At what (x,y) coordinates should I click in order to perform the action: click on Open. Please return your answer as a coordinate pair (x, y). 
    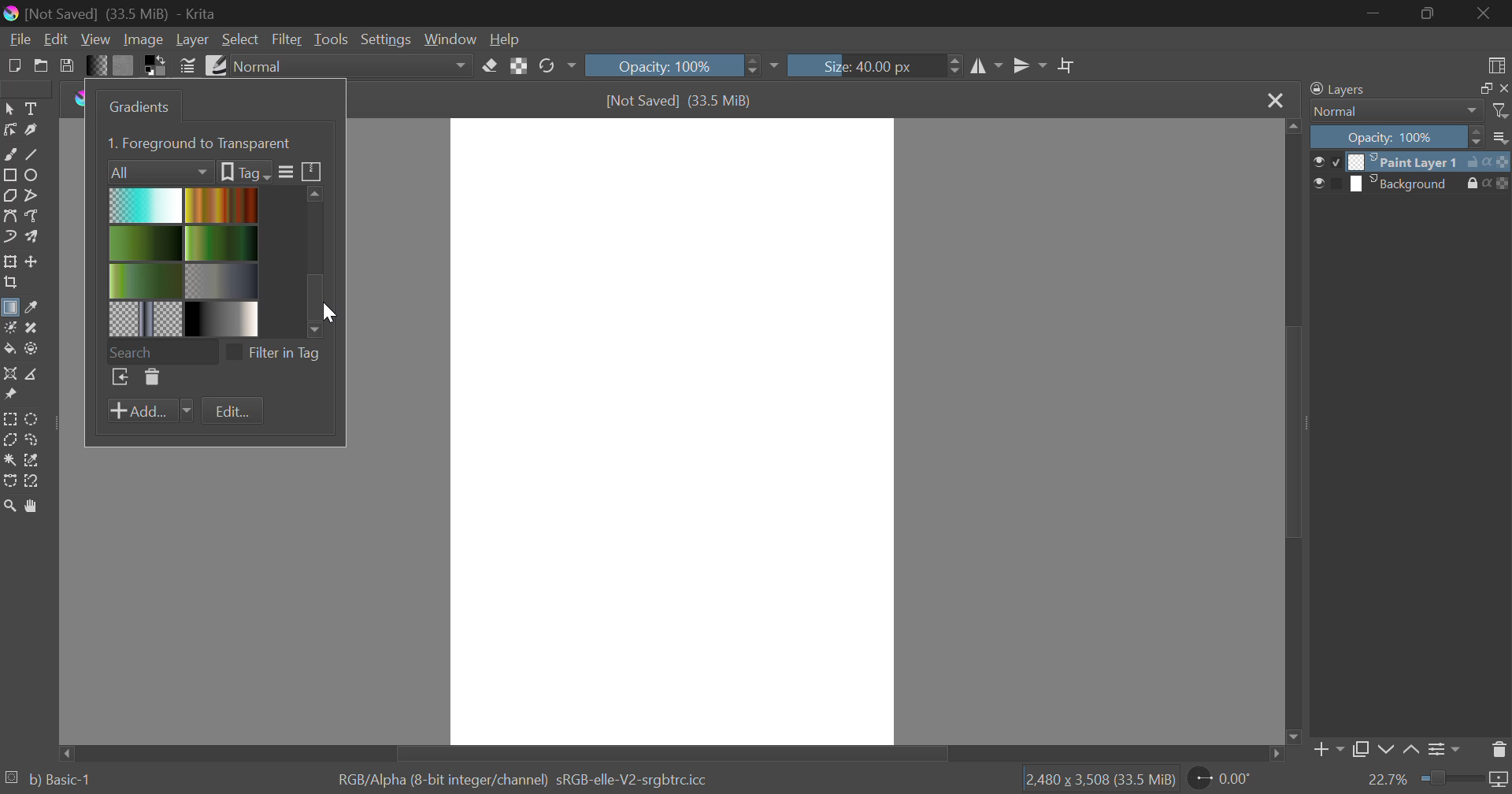
    Looking at the image, I should click on (41, 65).